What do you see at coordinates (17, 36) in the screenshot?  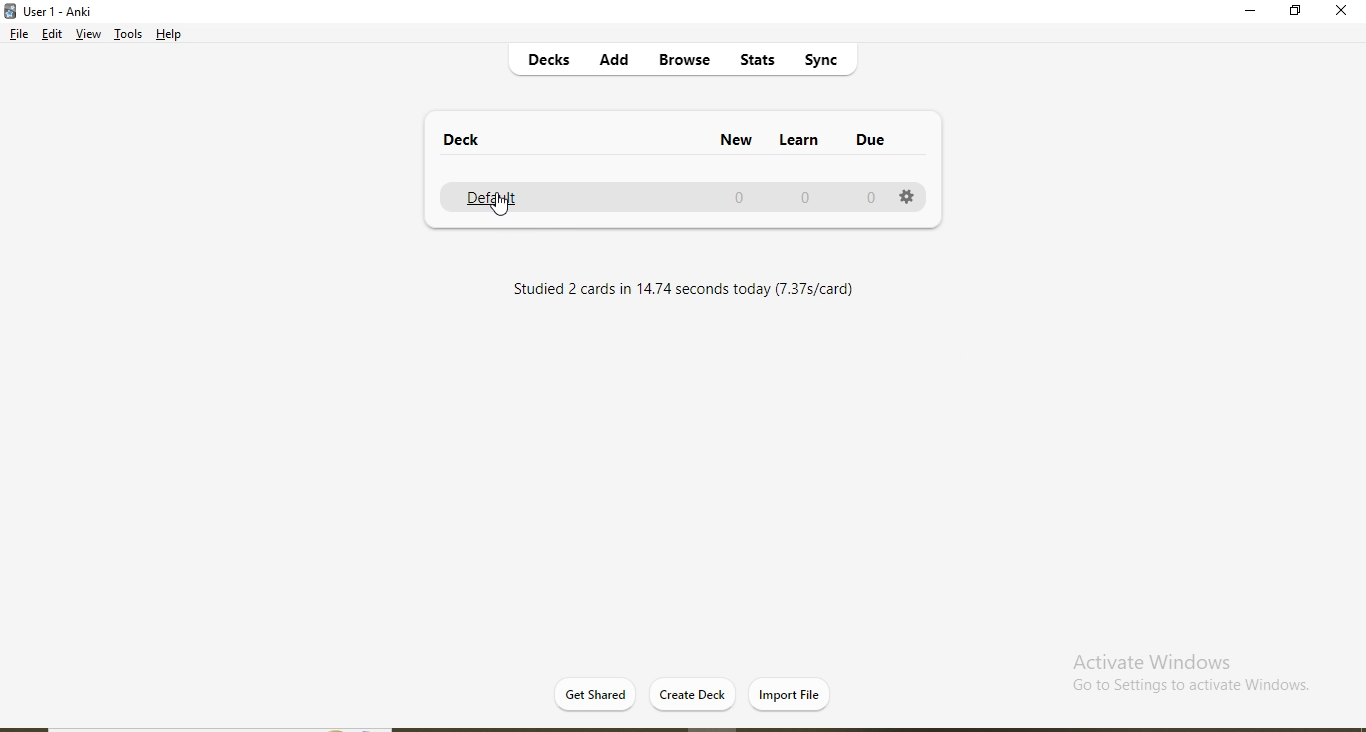 I see `file` at bounding box center [17, 36].